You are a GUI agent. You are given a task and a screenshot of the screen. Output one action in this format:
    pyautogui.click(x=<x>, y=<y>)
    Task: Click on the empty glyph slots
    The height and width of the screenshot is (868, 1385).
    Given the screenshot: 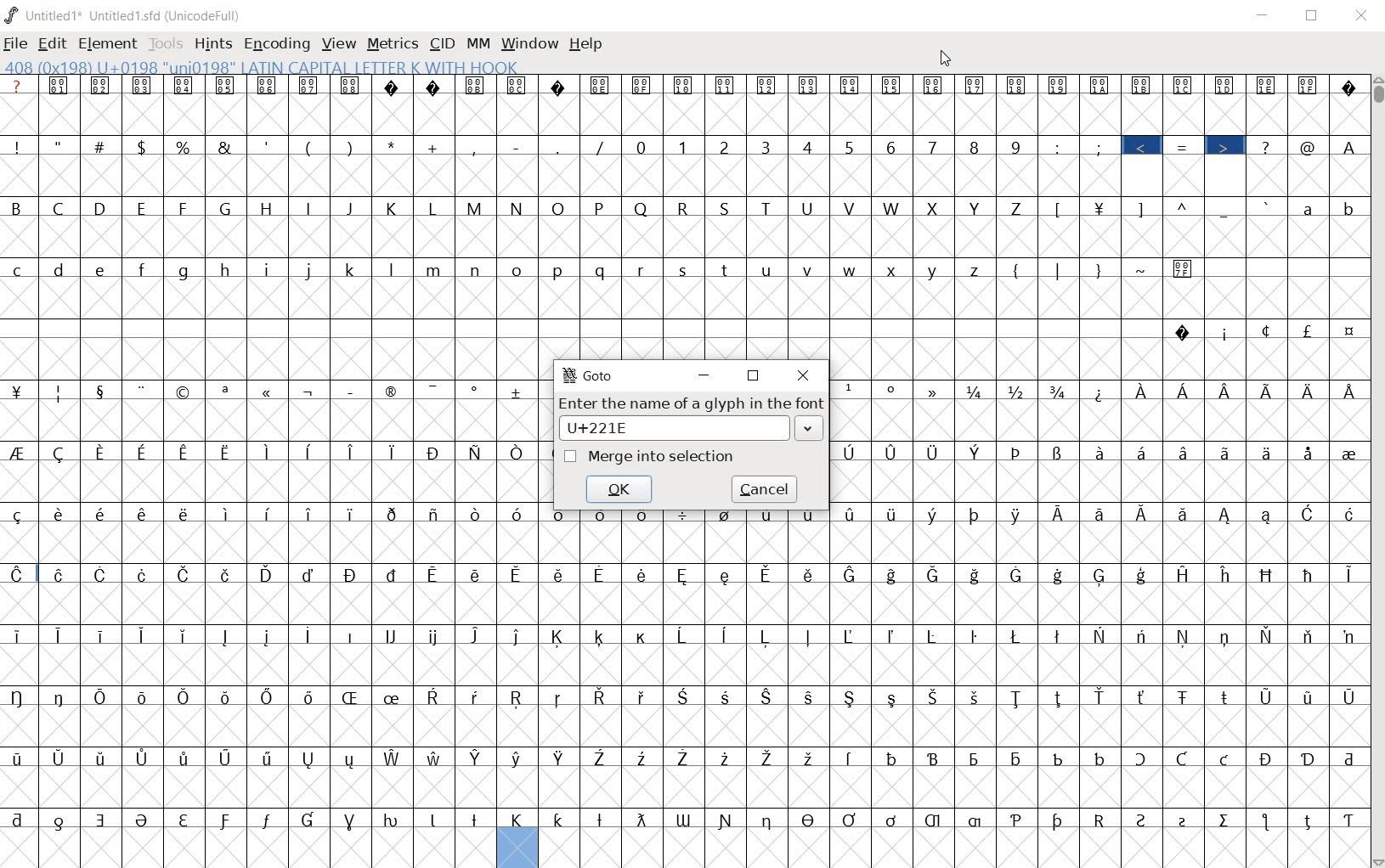 What is the action you would take?
    pyautogui.click(x=683, y=786)
    